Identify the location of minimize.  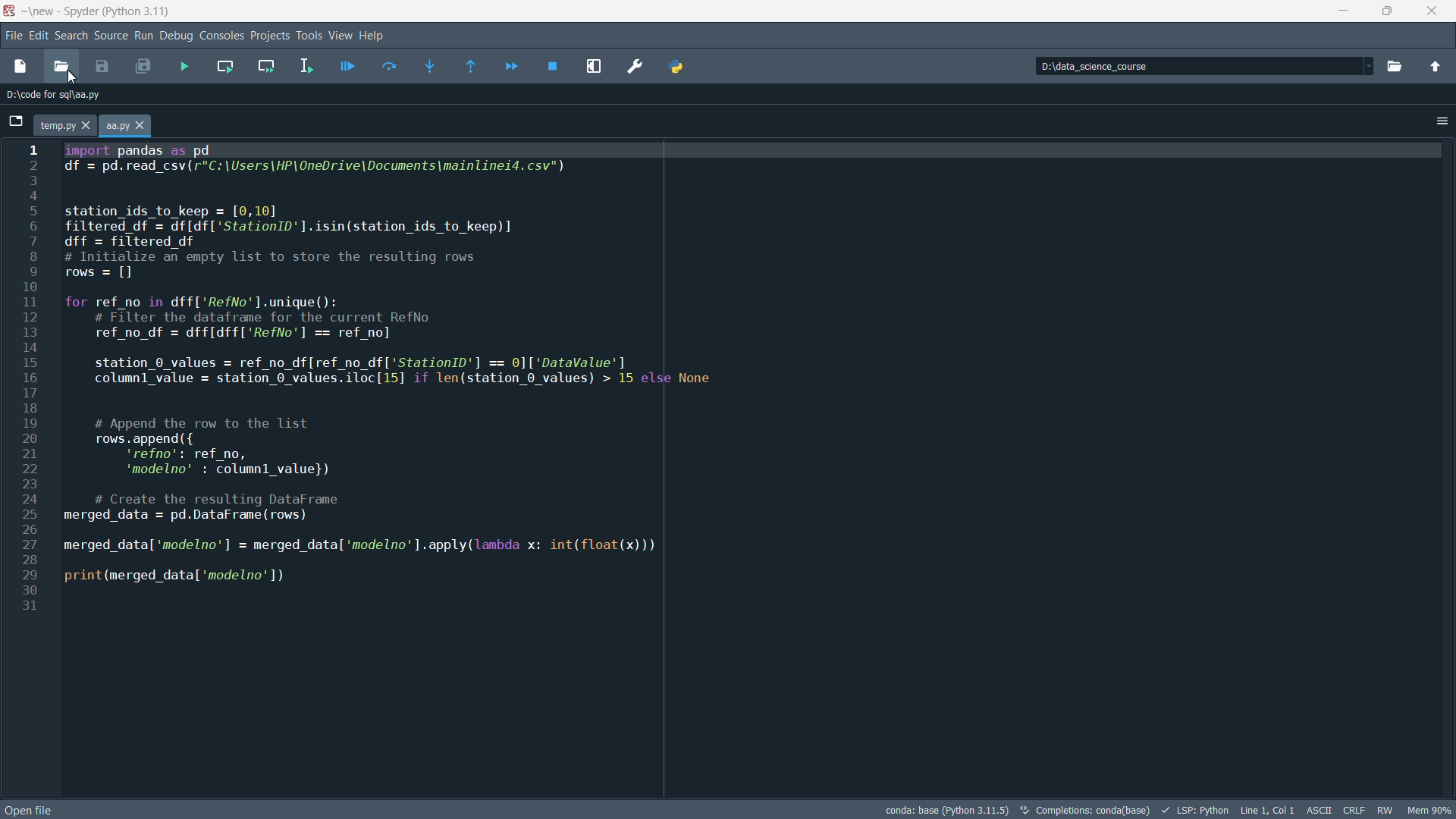
(1340, 11).